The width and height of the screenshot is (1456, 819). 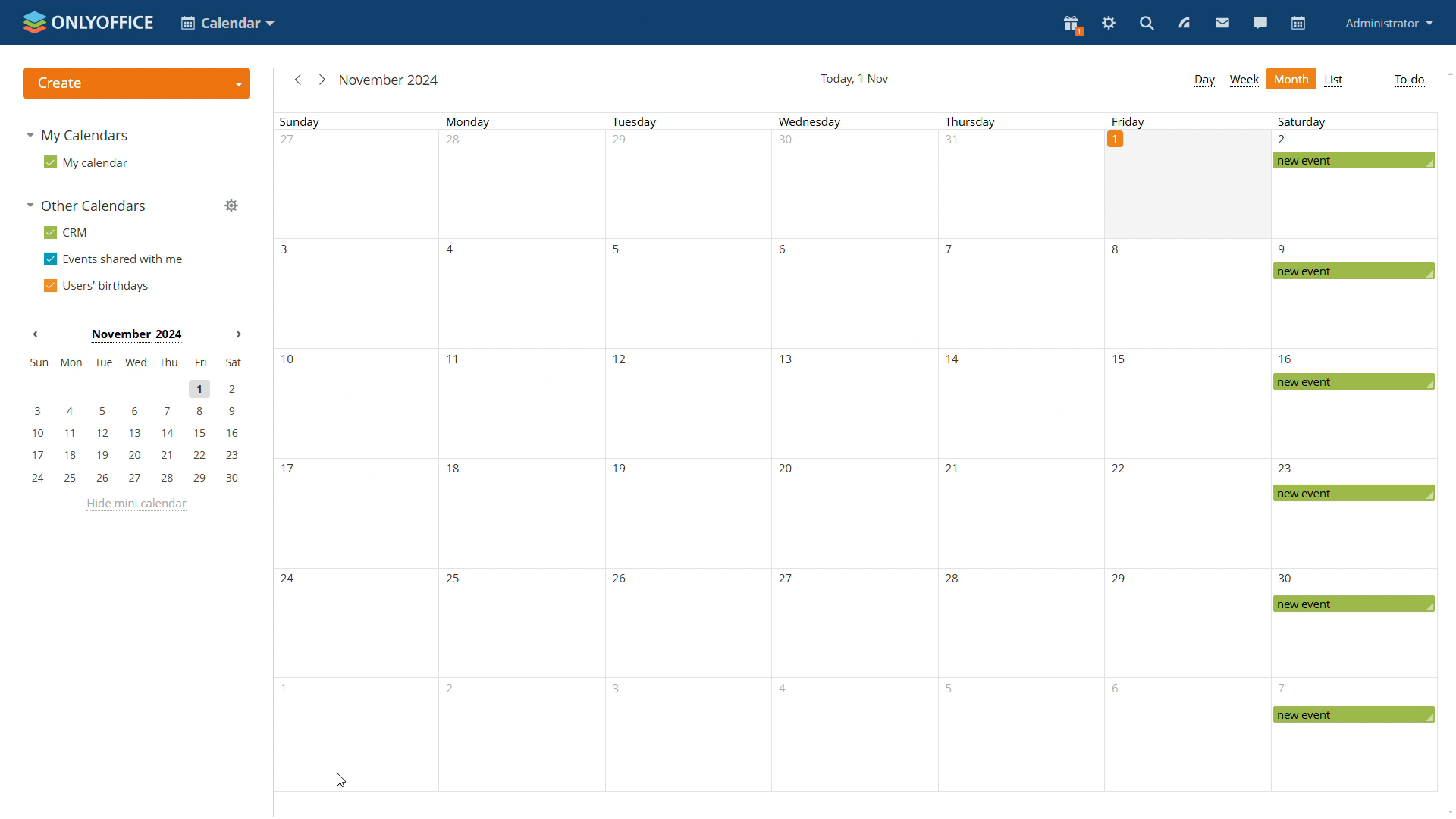 I want to click on administrator, so click(x=1390, y=22).